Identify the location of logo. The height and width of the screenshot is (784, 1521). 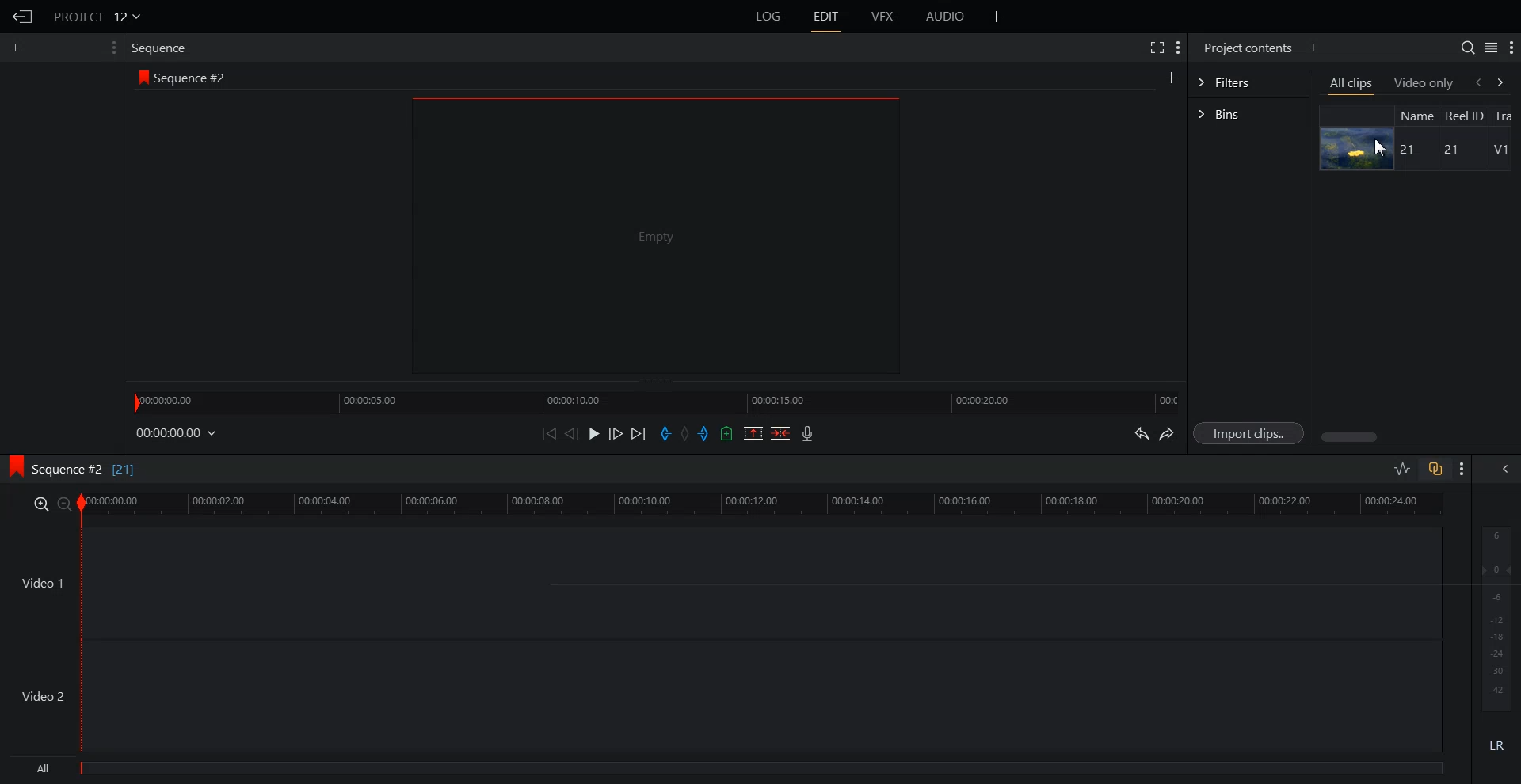
(13, 468).